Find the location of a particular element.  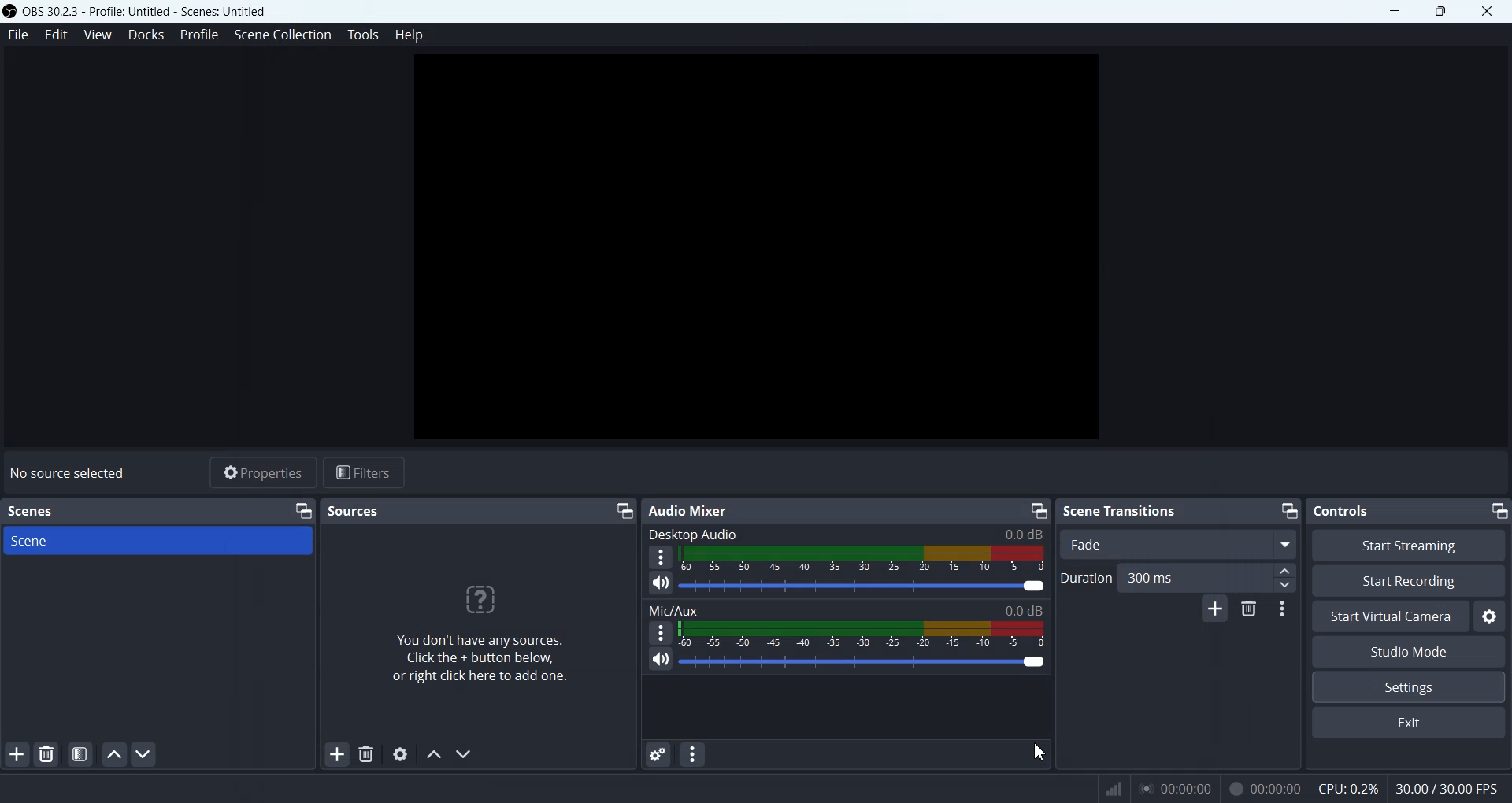

Studio Mode is located at coordinates (1407, 652).